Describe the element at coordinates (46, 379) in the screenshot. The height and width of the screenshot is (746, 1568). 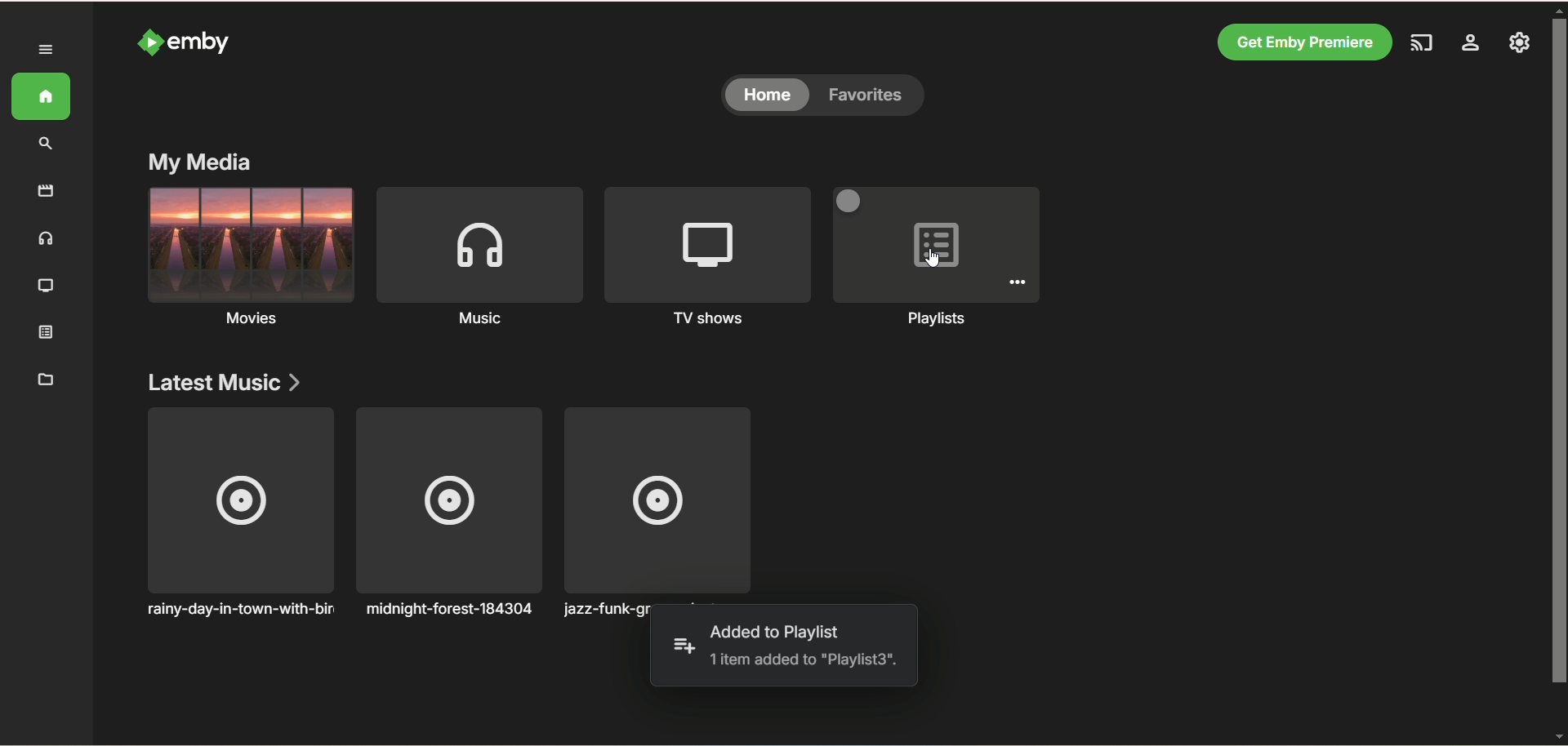
I see `manage metadata` at that location.